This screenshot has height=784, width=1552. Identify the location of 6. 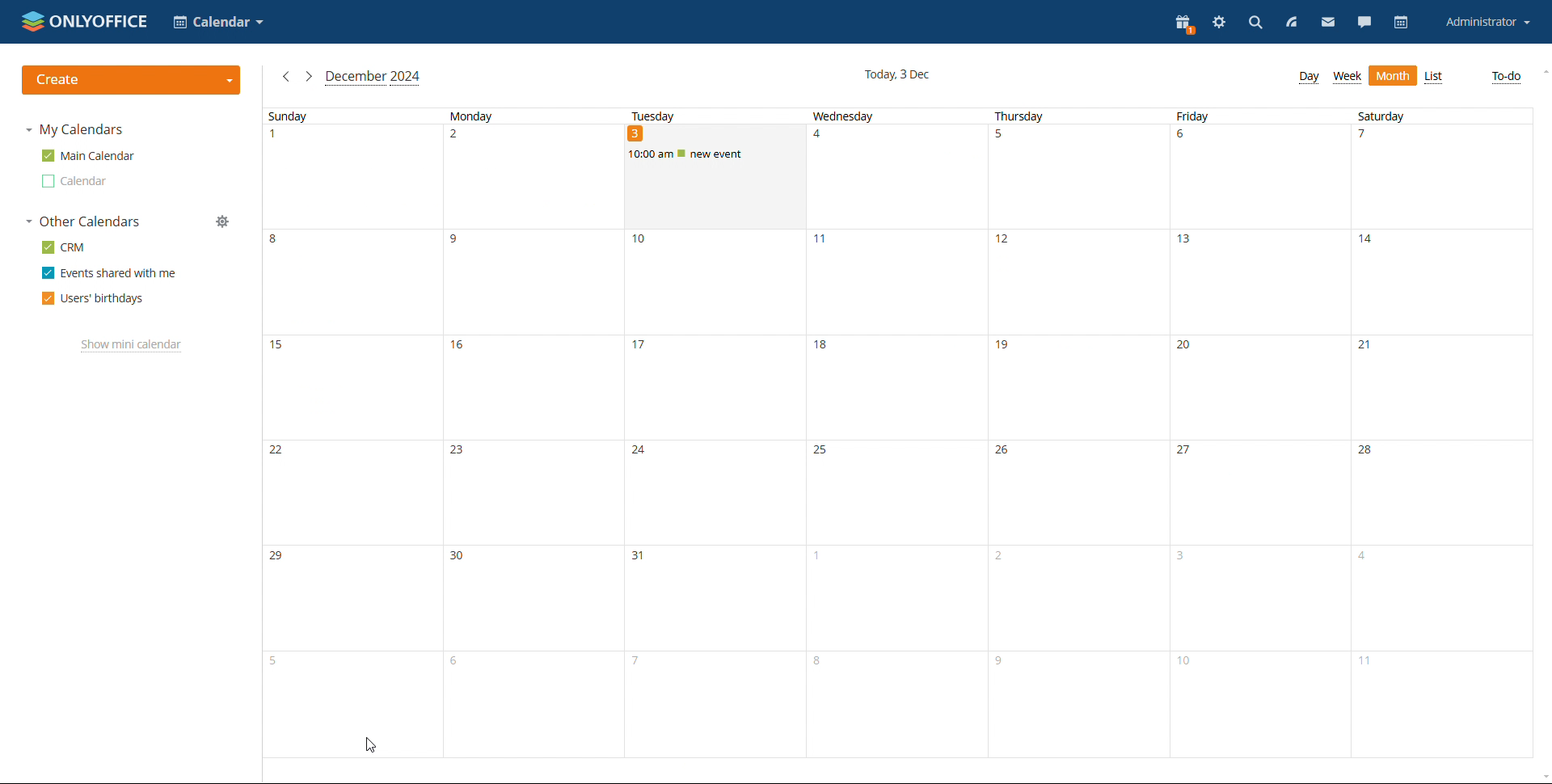
(531, 703).